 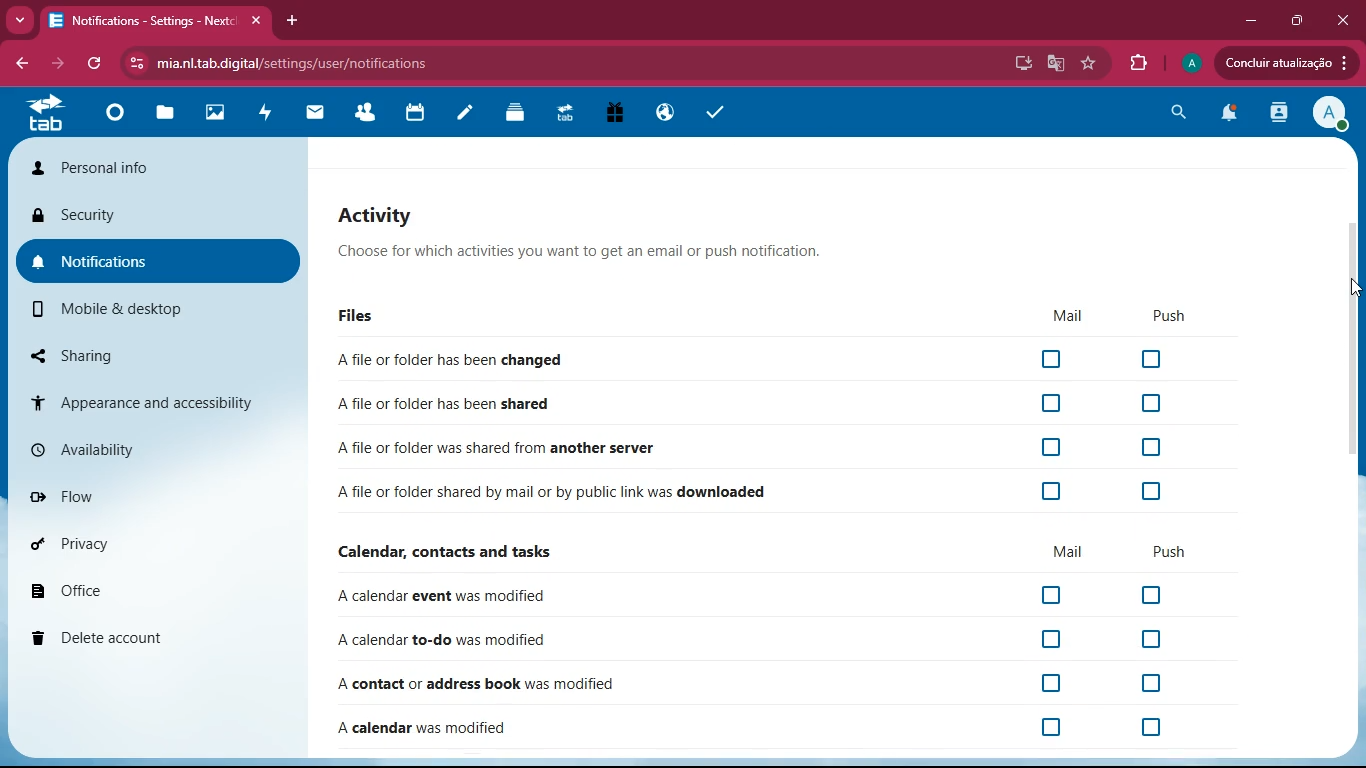 I want to click on A contact or address book was modified, so click(x=478, y=685).